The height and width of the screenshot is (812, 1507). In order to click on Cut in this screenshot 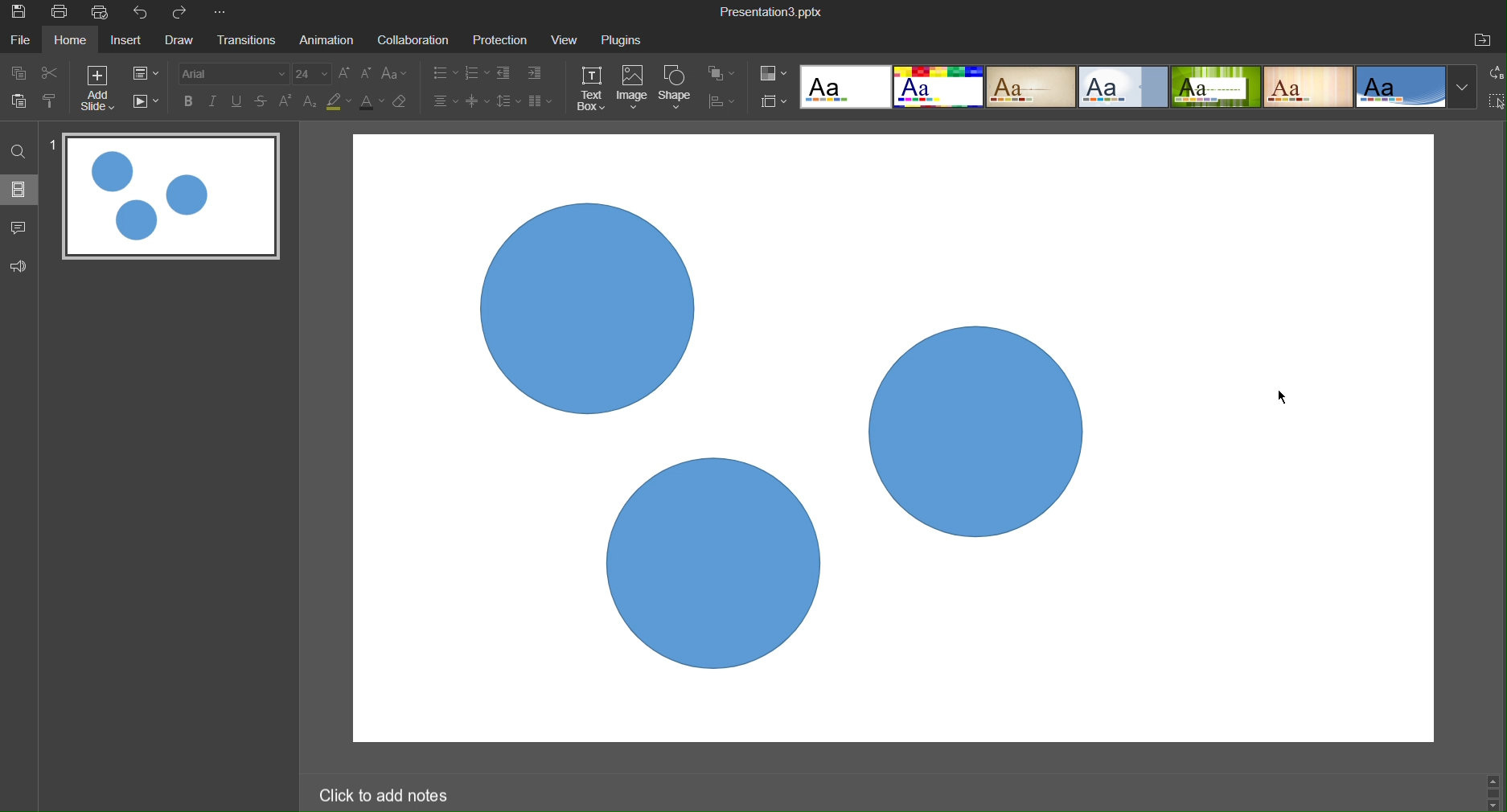, I will do `click(59, 76)`.